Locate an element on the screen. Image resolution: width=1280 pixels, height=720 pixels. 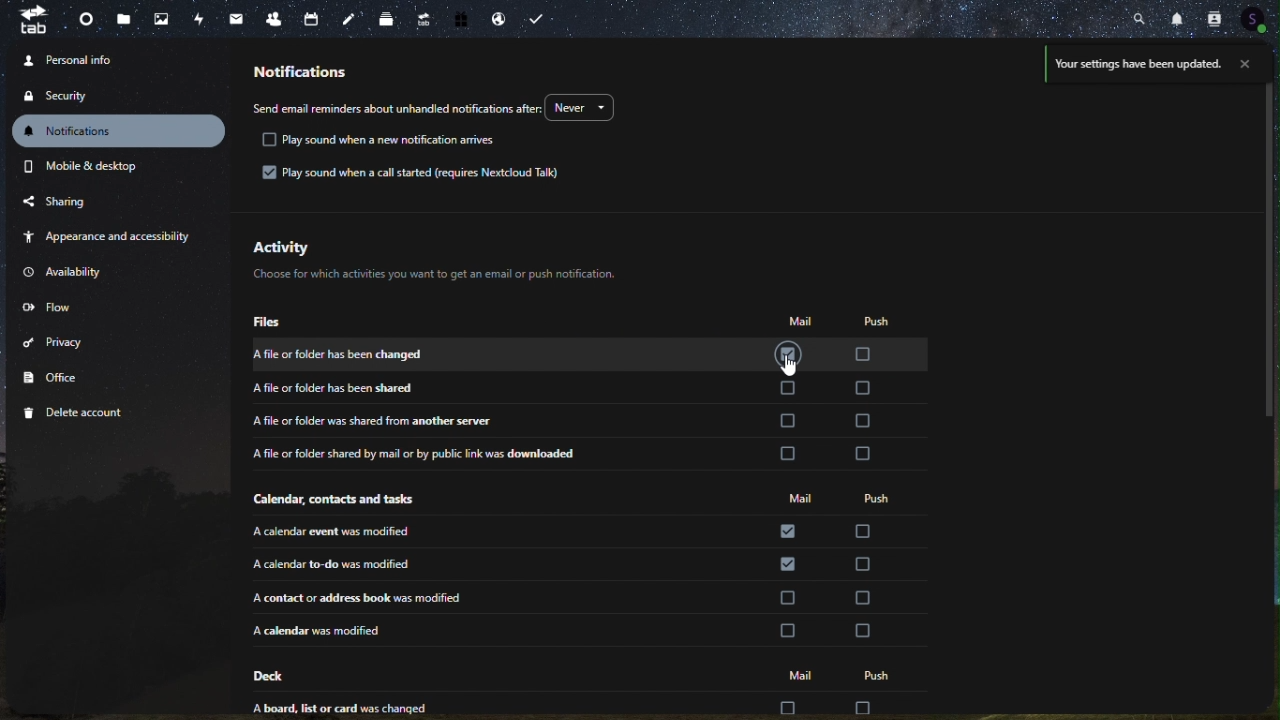
close is located at coordinates (1244, 67).